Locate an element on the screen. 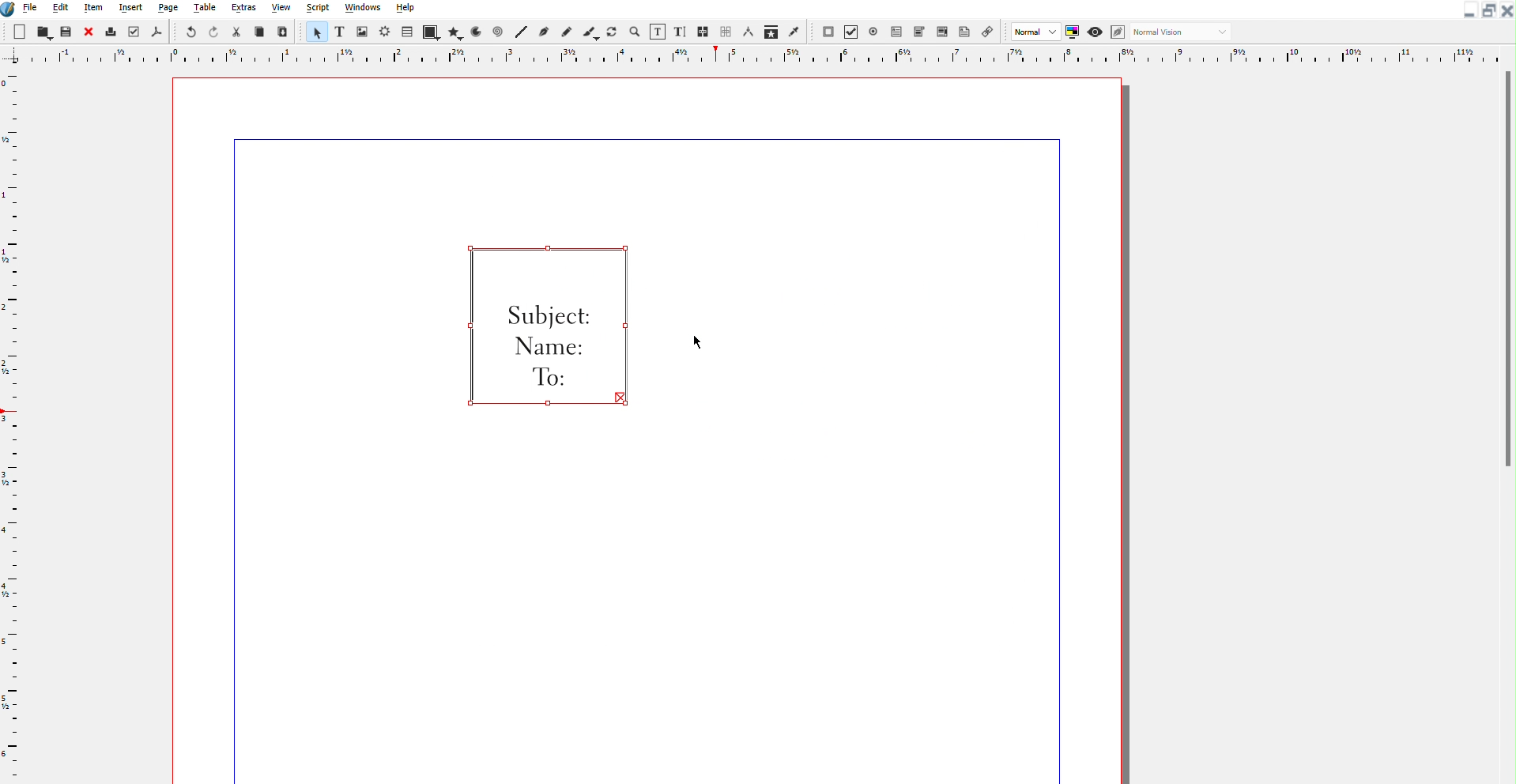 The width and height of the screenshot is (1516, 784). File is located at coordinates (32, 9).